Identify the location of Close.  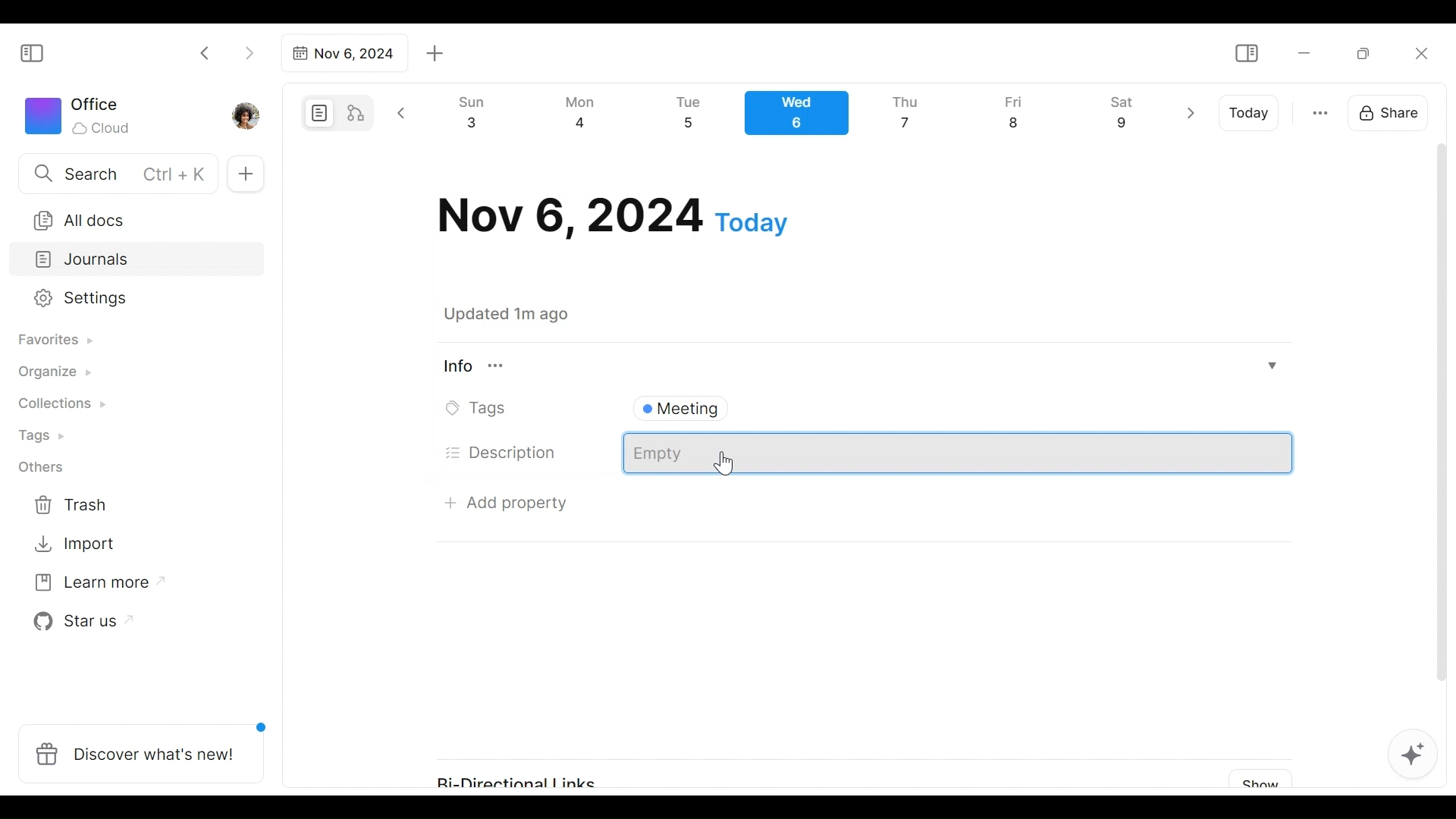
(1420, 53).